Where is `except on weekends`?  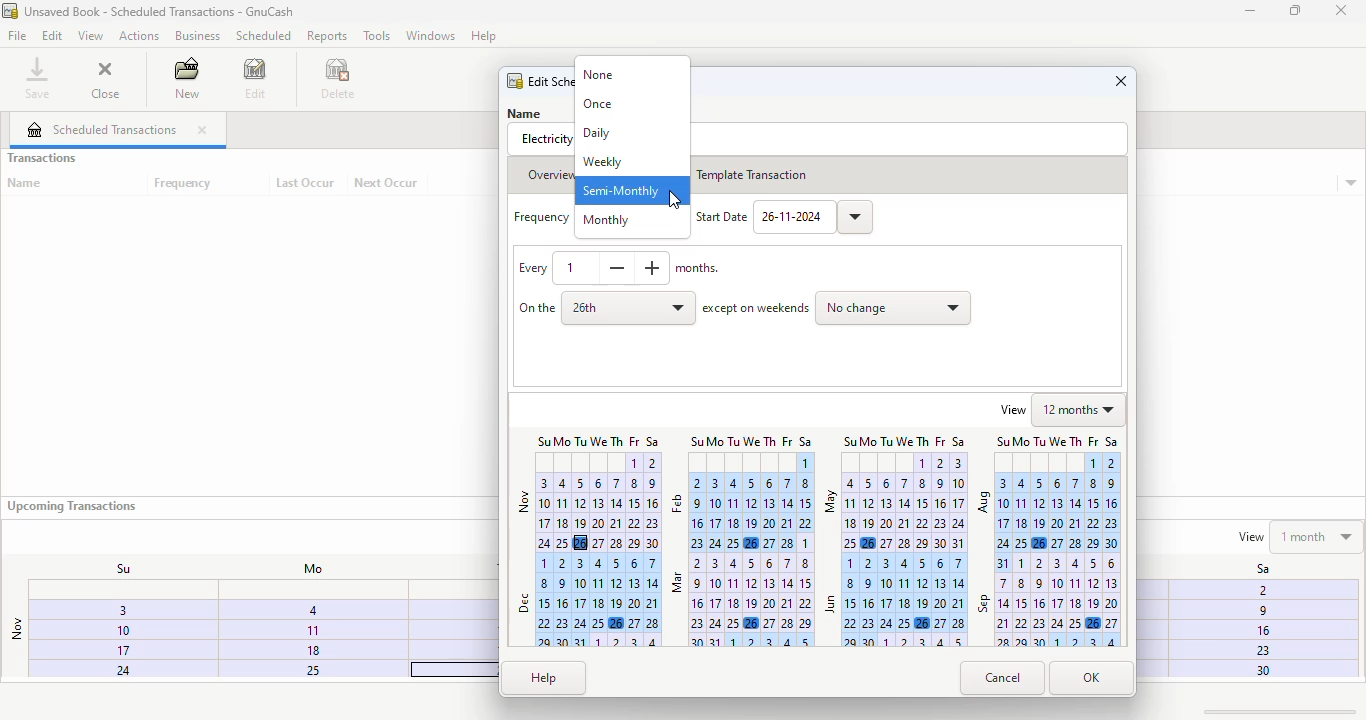
except on weekends is located at coordinates (756, 309).